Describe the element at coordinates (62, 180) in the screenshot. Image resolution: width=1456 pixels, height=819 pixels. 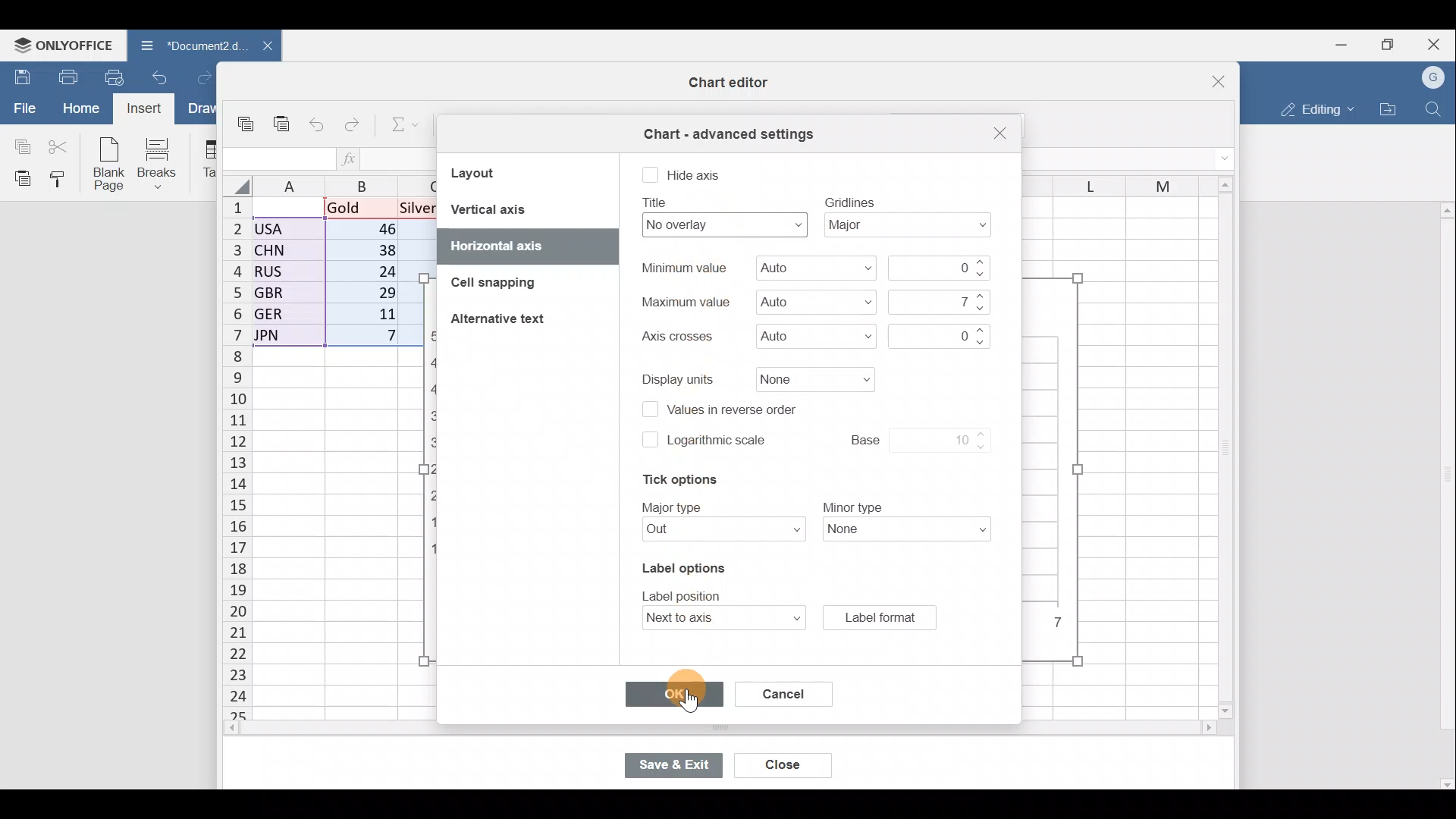
I see `Copy style` at that location.